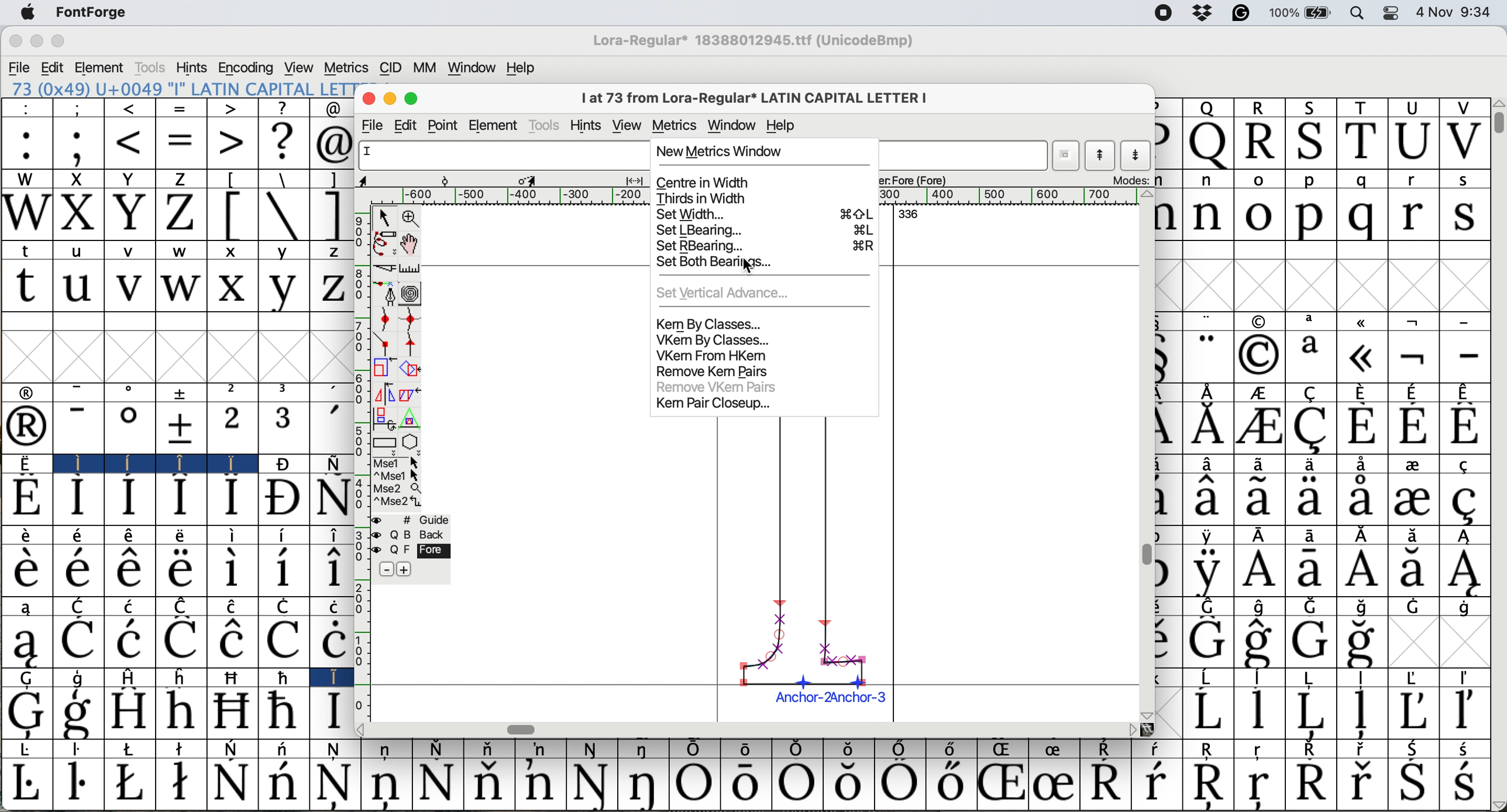 The width and height of the screenshot is (1507, 812). I want to click on Symbol, so click(1312, 428).